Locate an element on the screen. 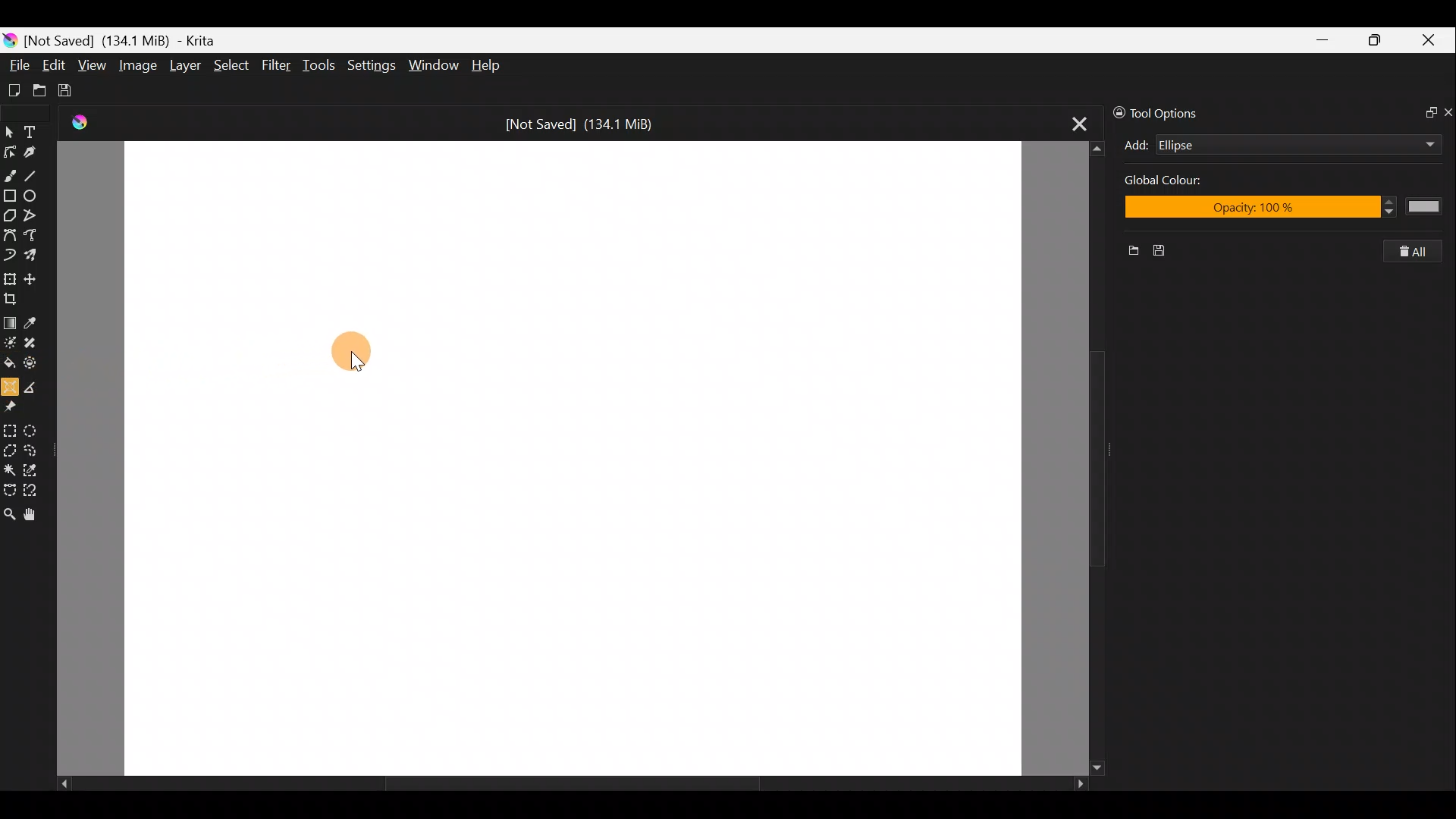 The height and width of the screenshot is (819, 1456). Scroll bar is located at coordinates (560, 784).